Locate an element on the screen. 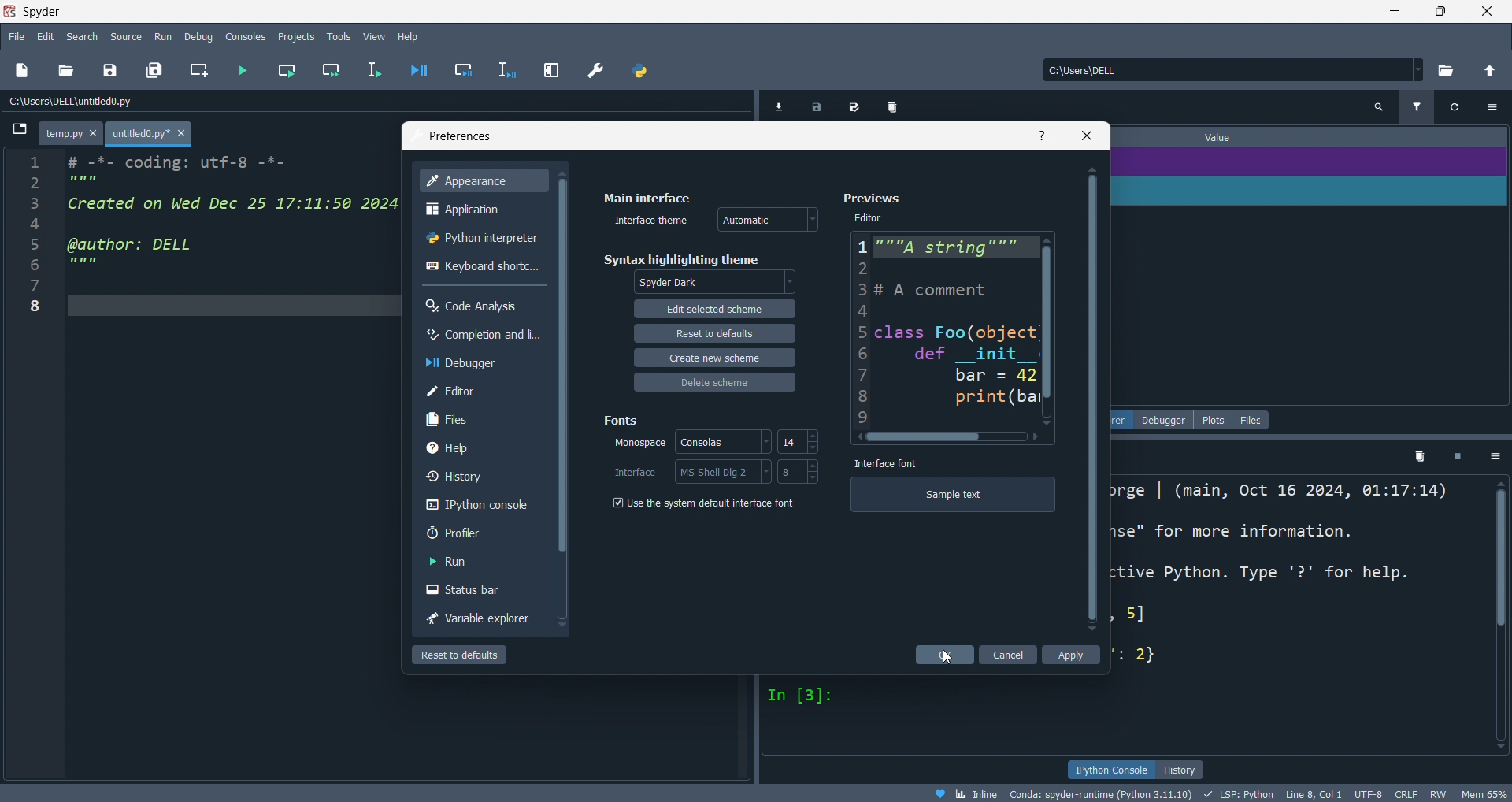 Image resolution: width=1512 pixels, height=802 pixels. C:\Users\DELL is located at coordinates (1093, 72).